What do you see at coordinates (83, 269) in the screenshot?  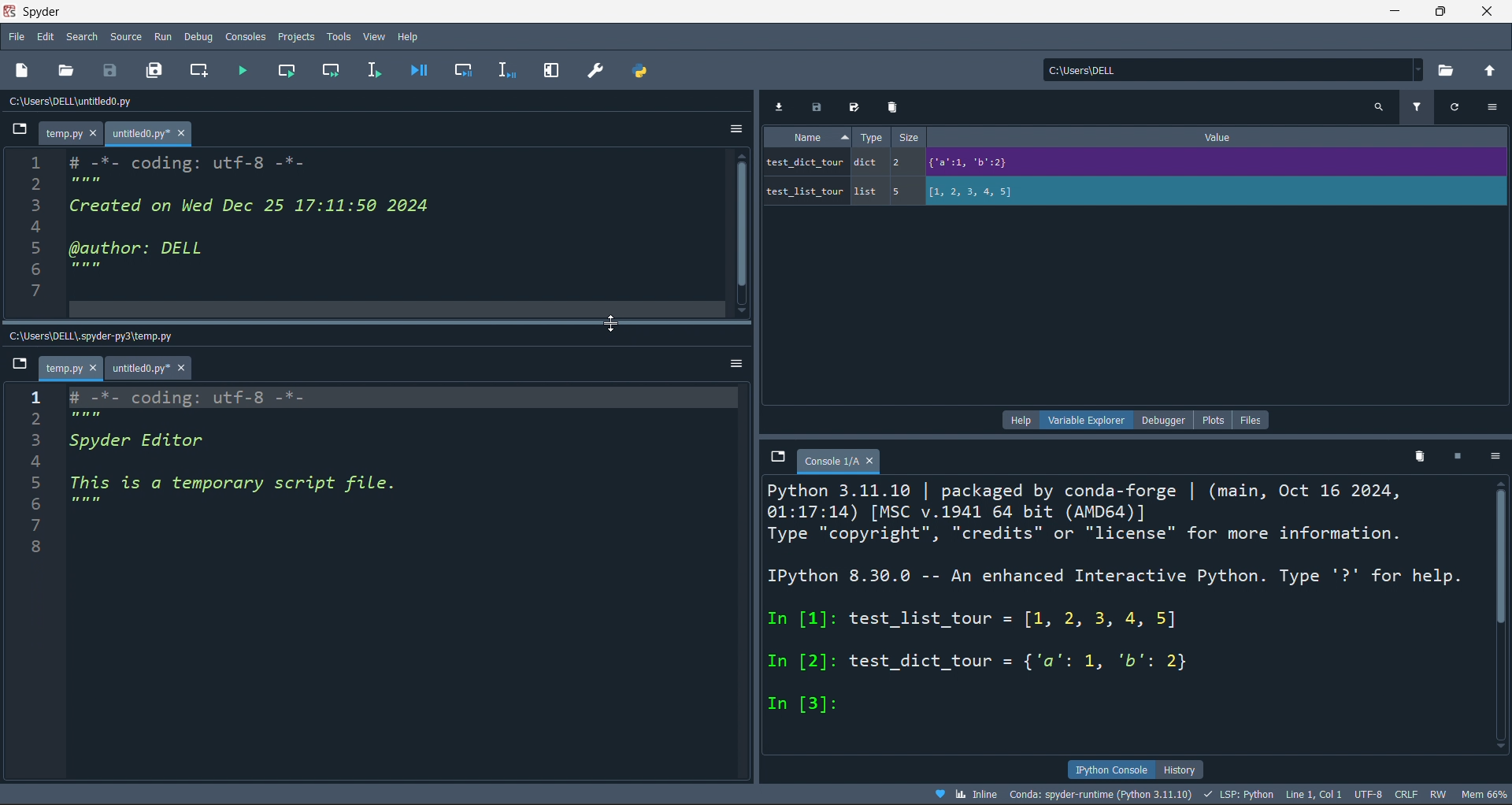 I see `6 '''''''` at bounding box center [83, 269].